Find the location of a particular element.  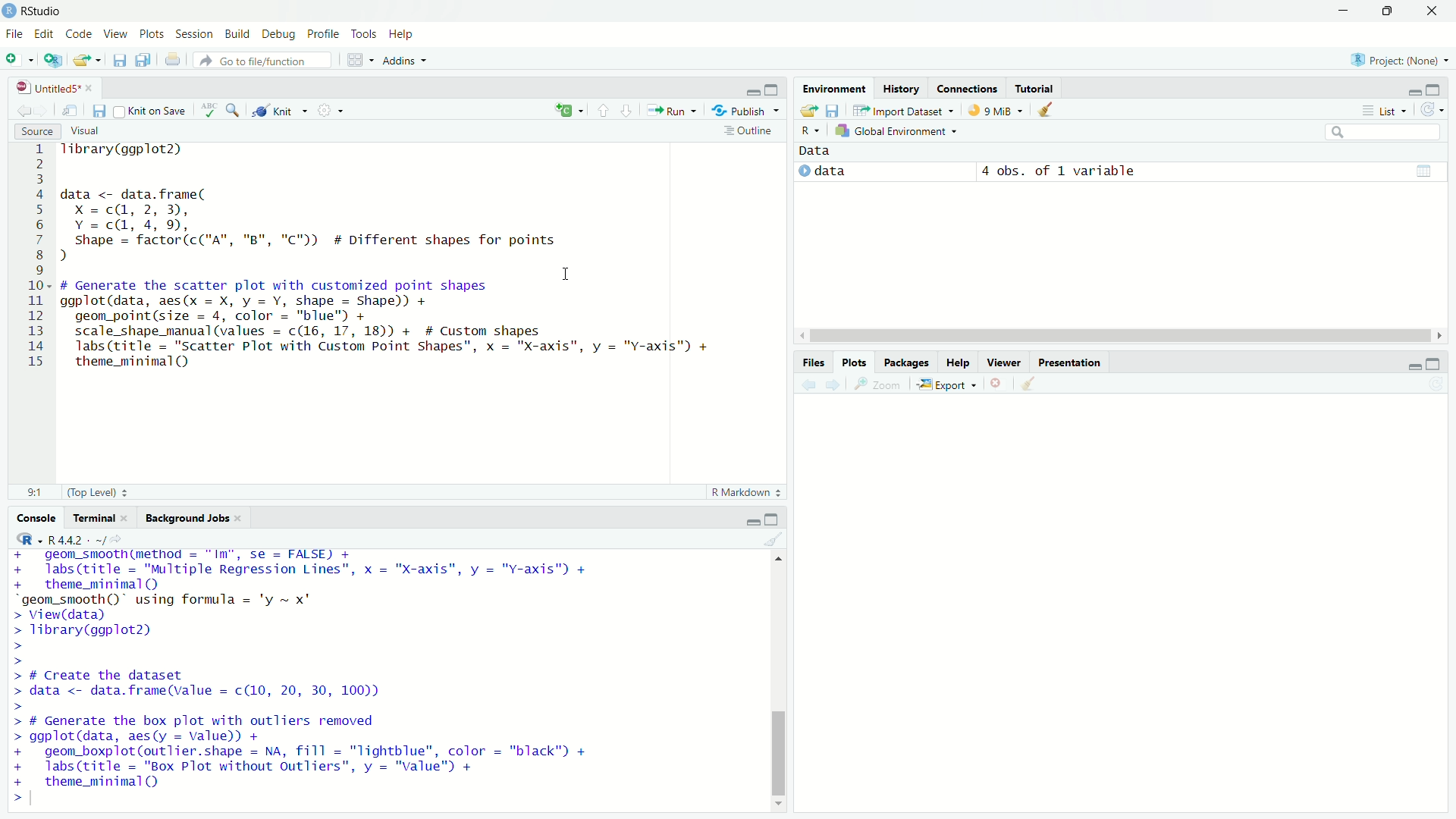

Find/Replace is located at coordinates (234, 110).